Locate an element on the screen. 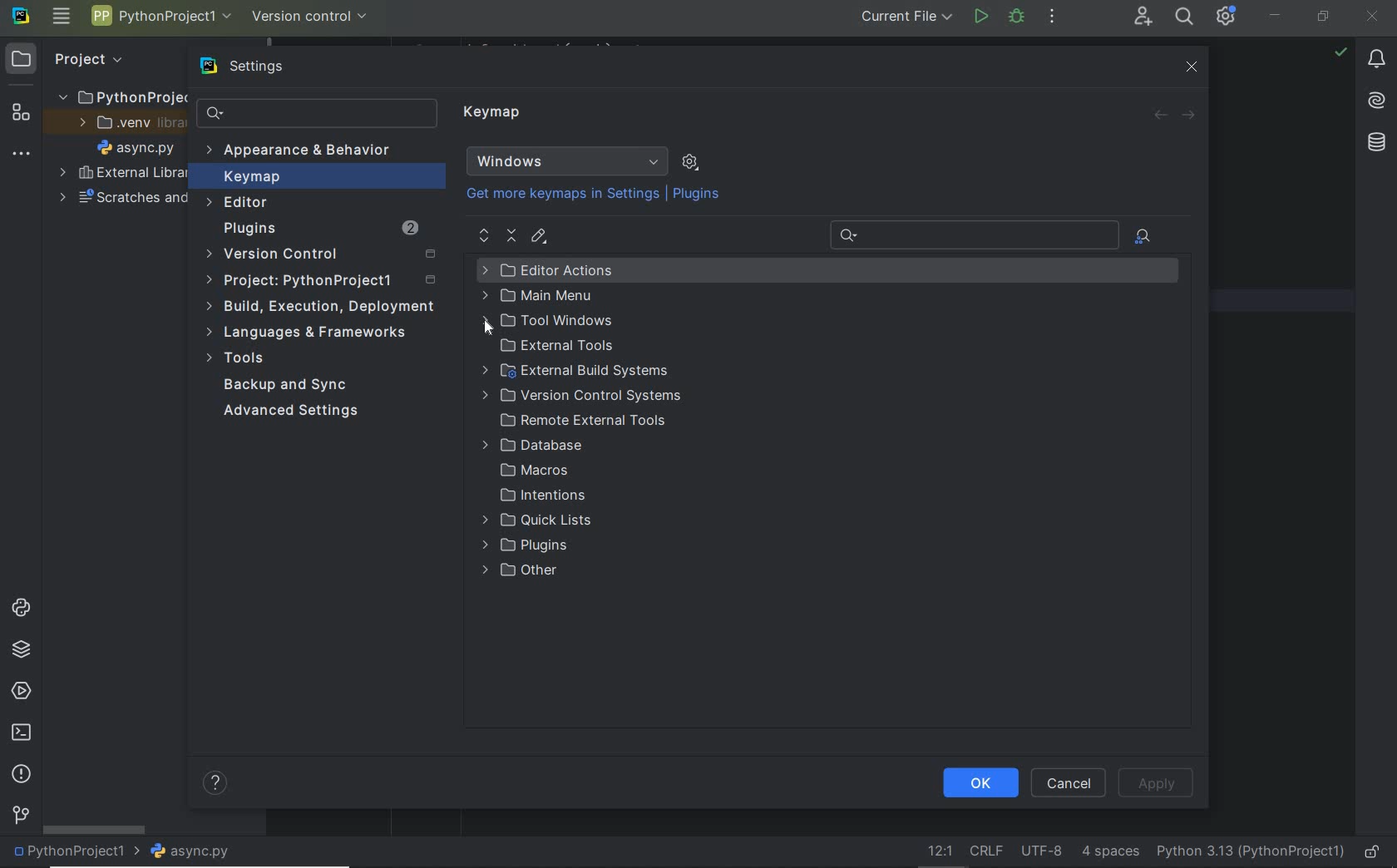  structure is located at coordinates (18, 111).